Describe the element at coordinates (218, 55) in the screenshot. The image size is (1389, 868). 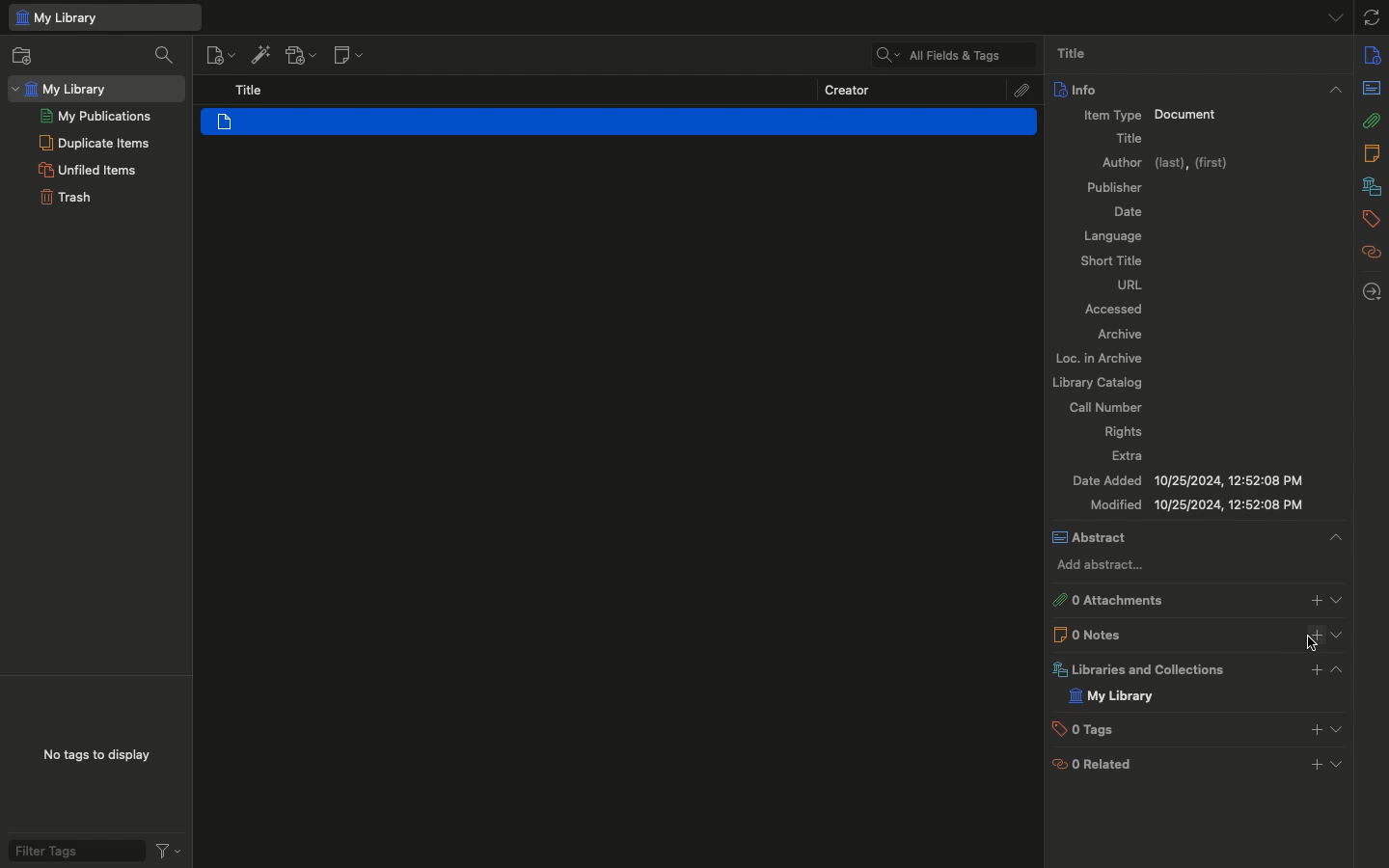
I see `New item` at that location.